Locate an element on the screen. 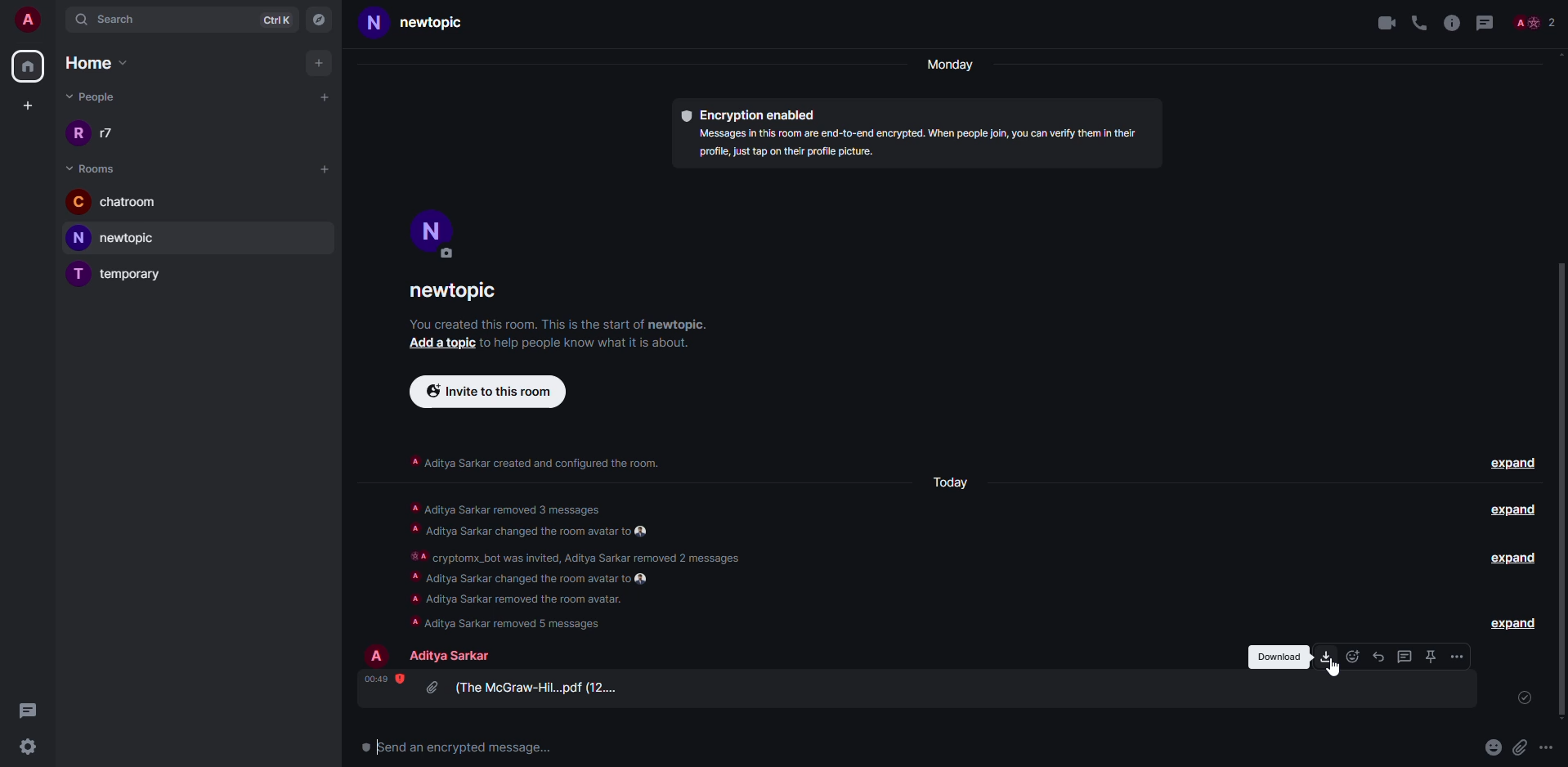 The image size is (1568, 767). add is located at coordinates (325, 94).